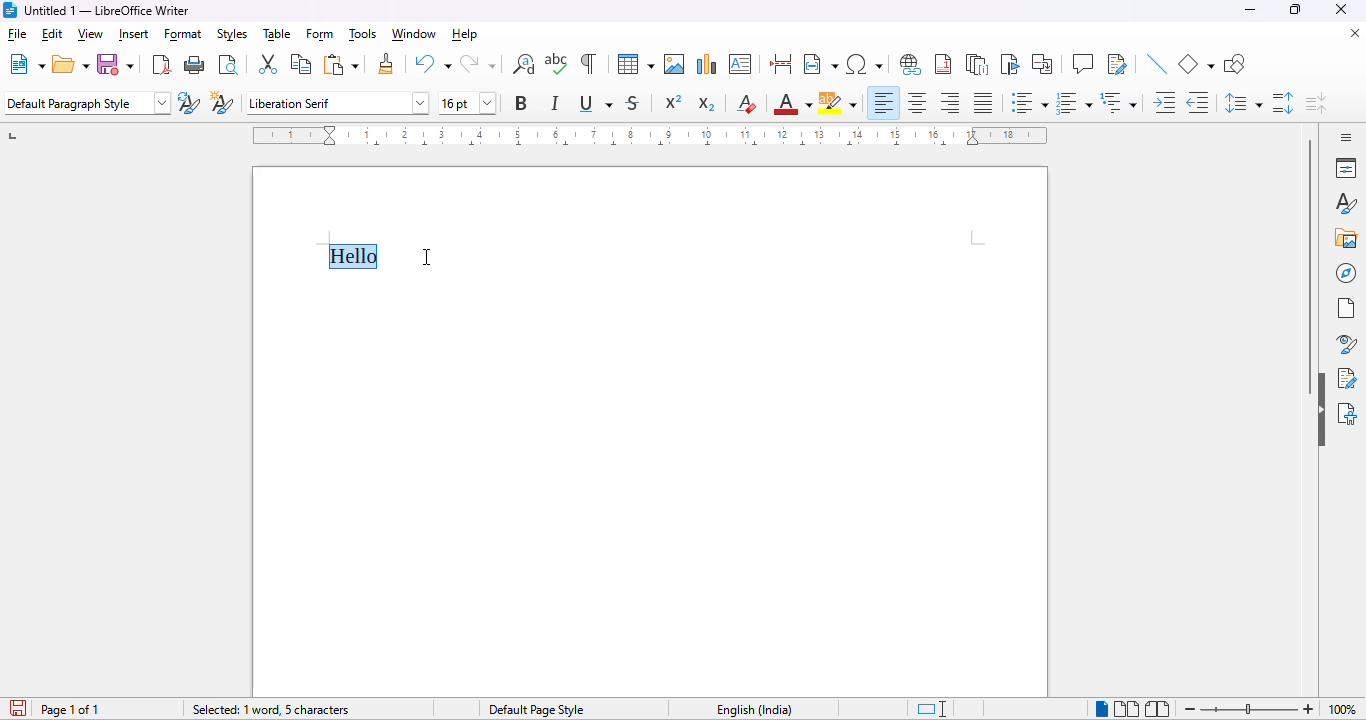 The height and width of the screenshot is (720, 1366). Describe the element at coordinates (301, 64) in the screenshot. I see `copy` at that location.